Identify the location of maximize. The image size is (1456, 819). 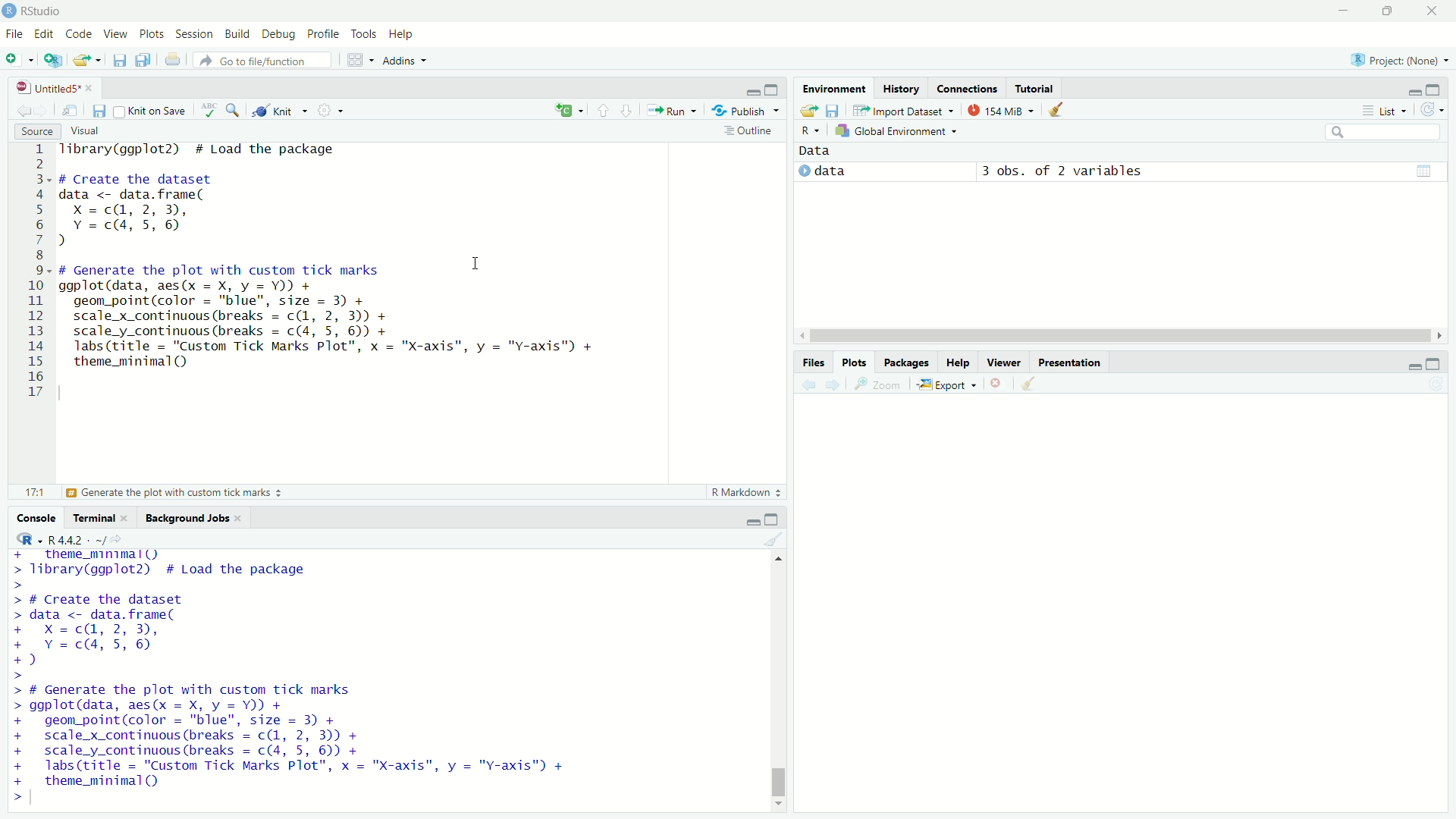
(775, 517).